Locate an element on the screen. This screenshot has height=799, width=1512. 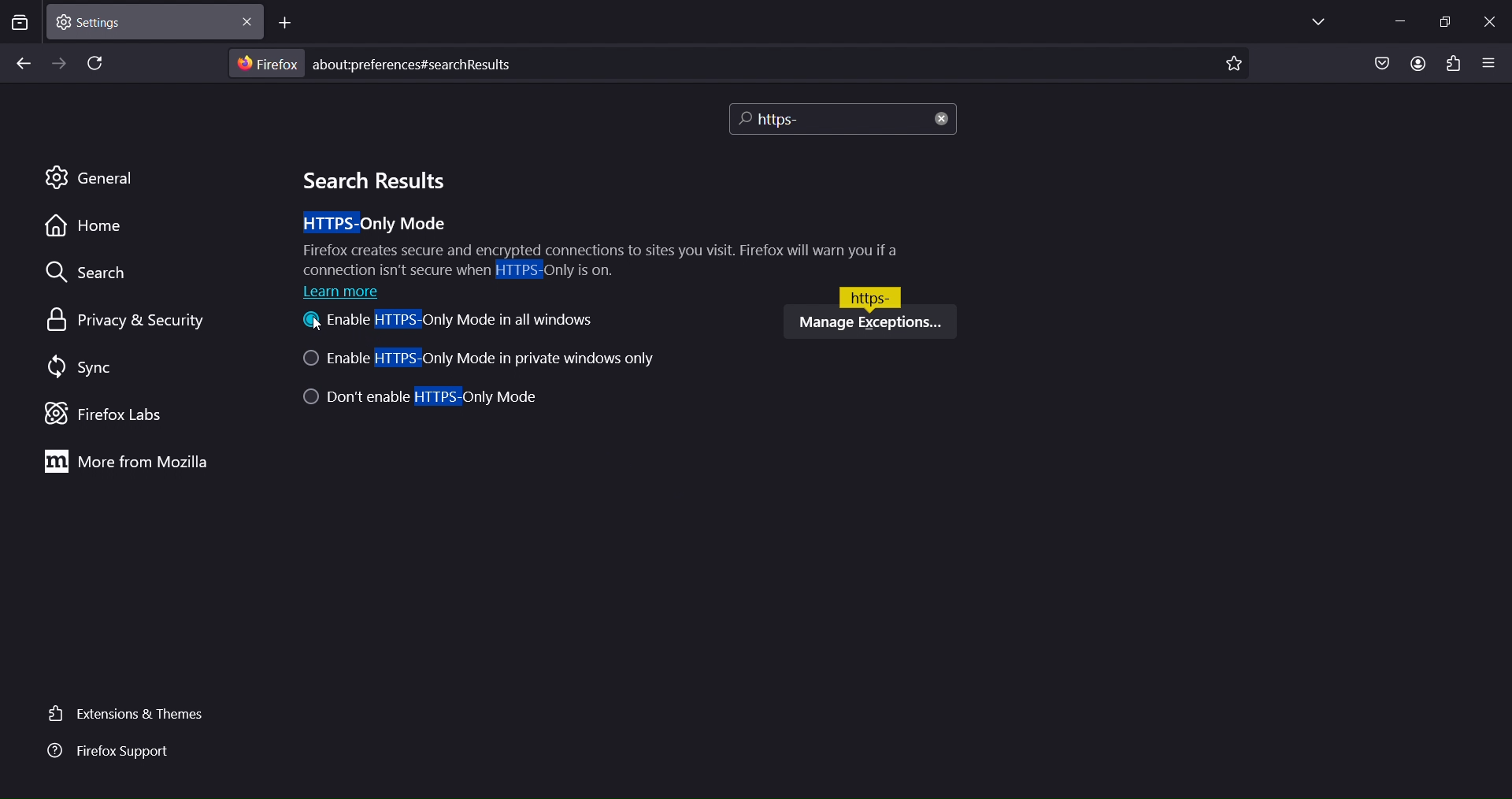
more from mozilla is located at coordinates (127, 460).